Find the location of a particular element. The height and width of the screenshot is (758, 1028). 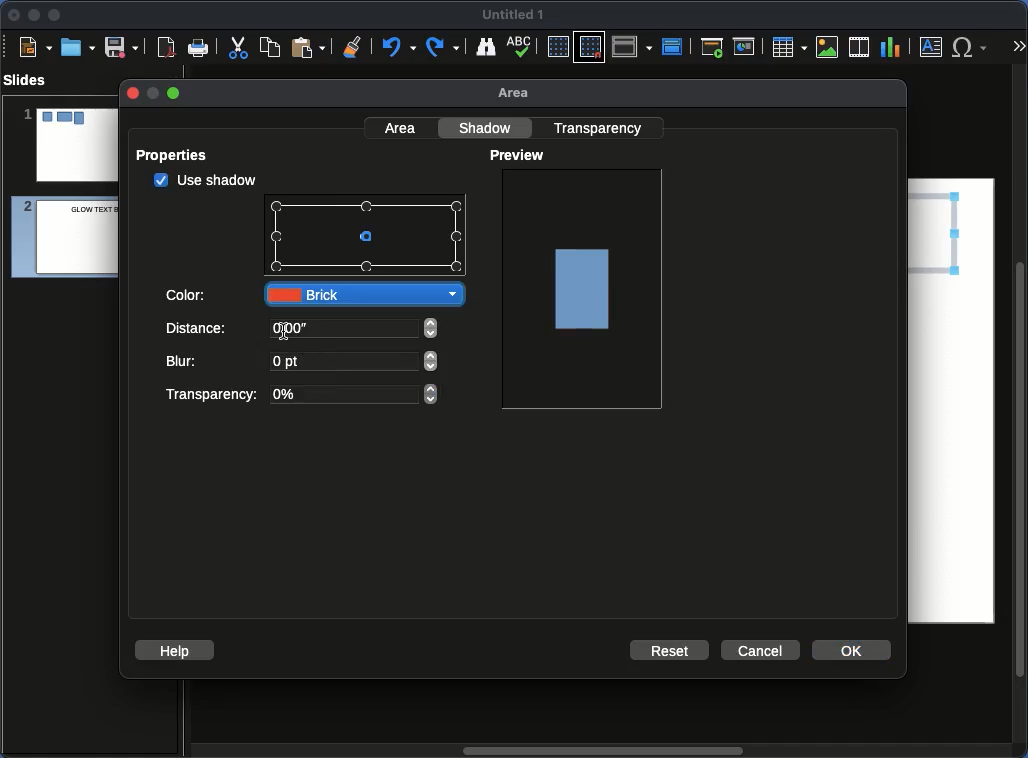

Redo is located at coordinates (444, 47).